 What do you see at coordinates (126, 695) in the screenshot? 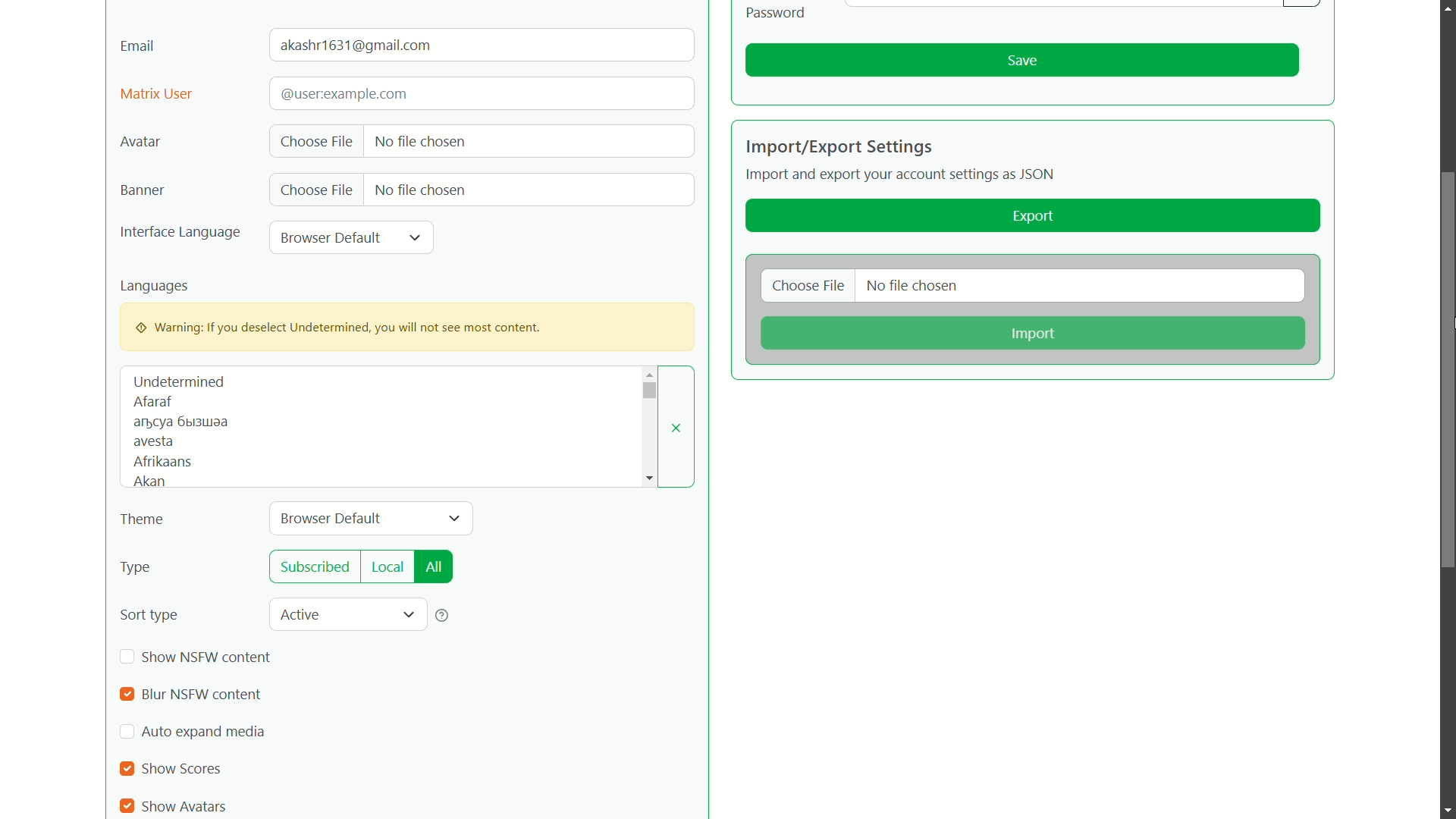
I see `checkbox` at bounding box center [126, 695].